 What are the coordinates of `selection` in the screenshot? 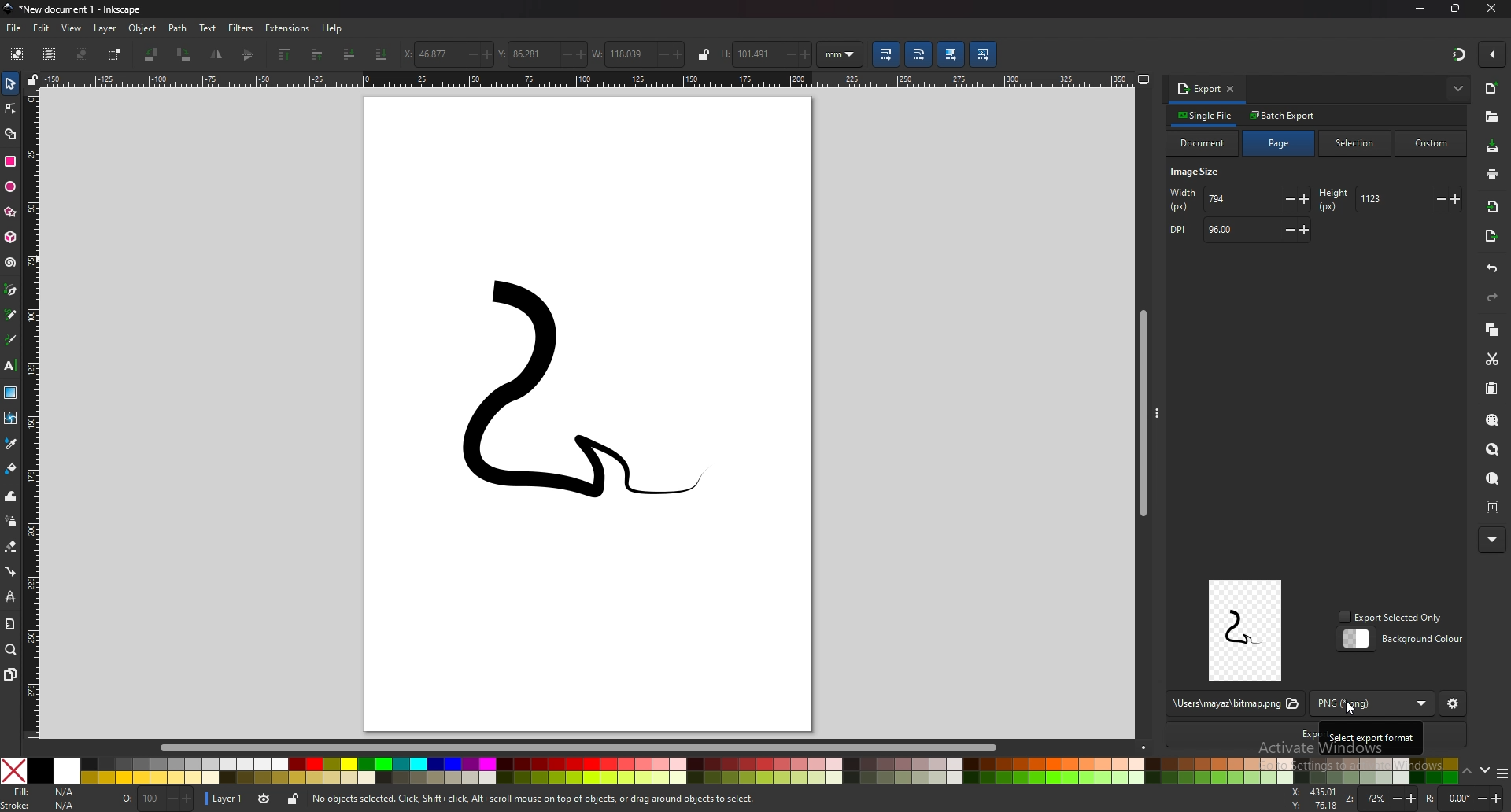 It's located at (1358, 142).